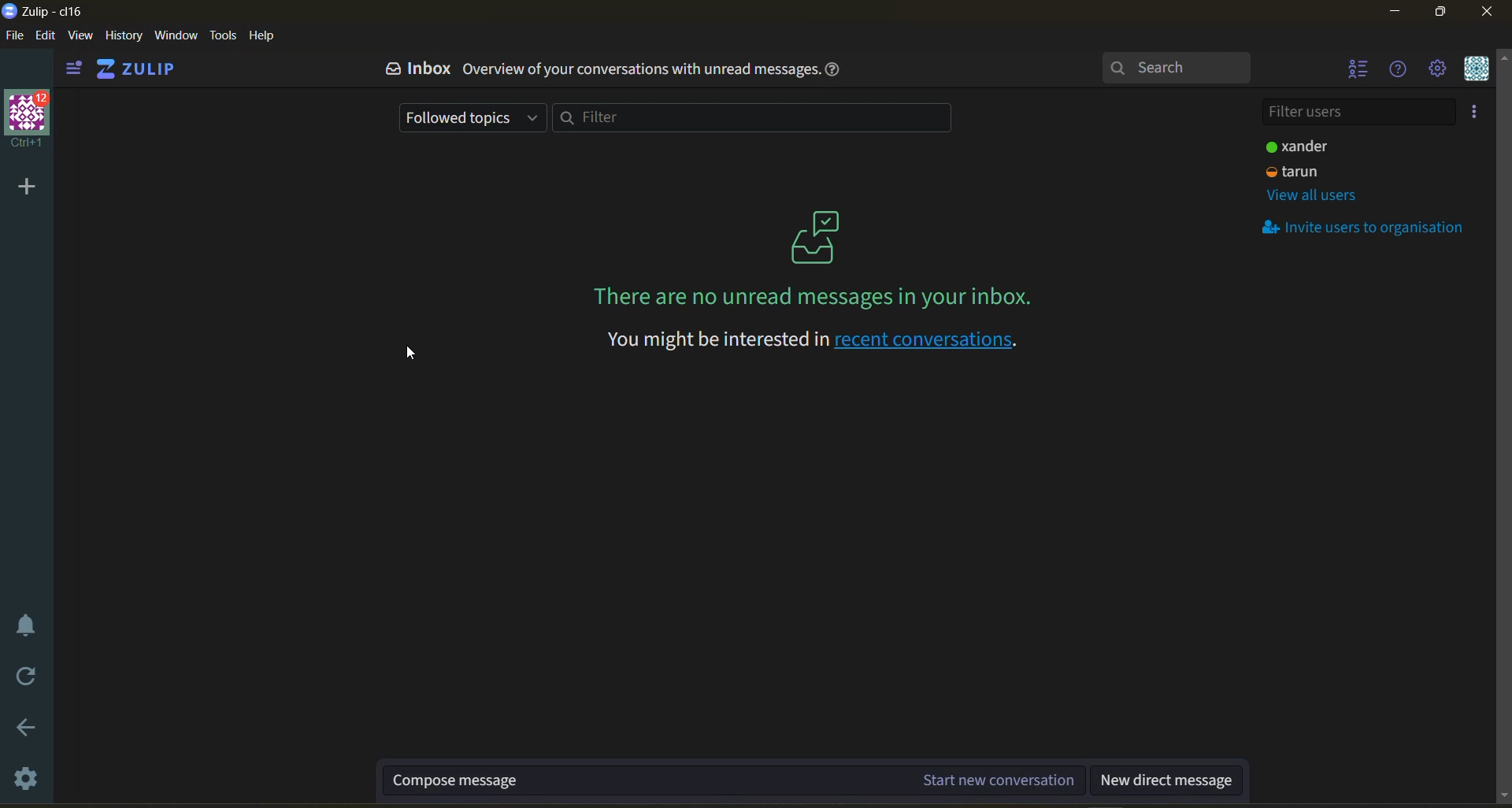  What do you see at coordinates (1394, 13) in the screenshot?
I see `minimize` at bounding box center [1394, 13].